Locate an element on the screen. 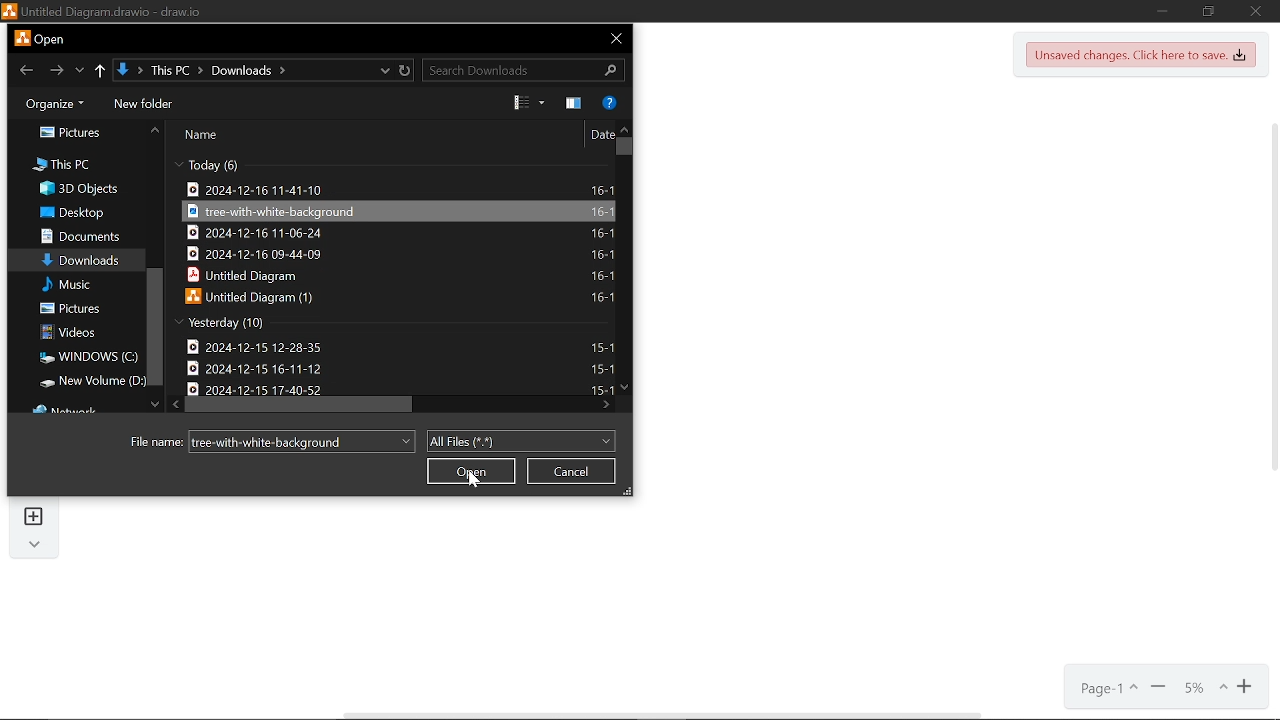  videos is located at coordinates (68, 332).